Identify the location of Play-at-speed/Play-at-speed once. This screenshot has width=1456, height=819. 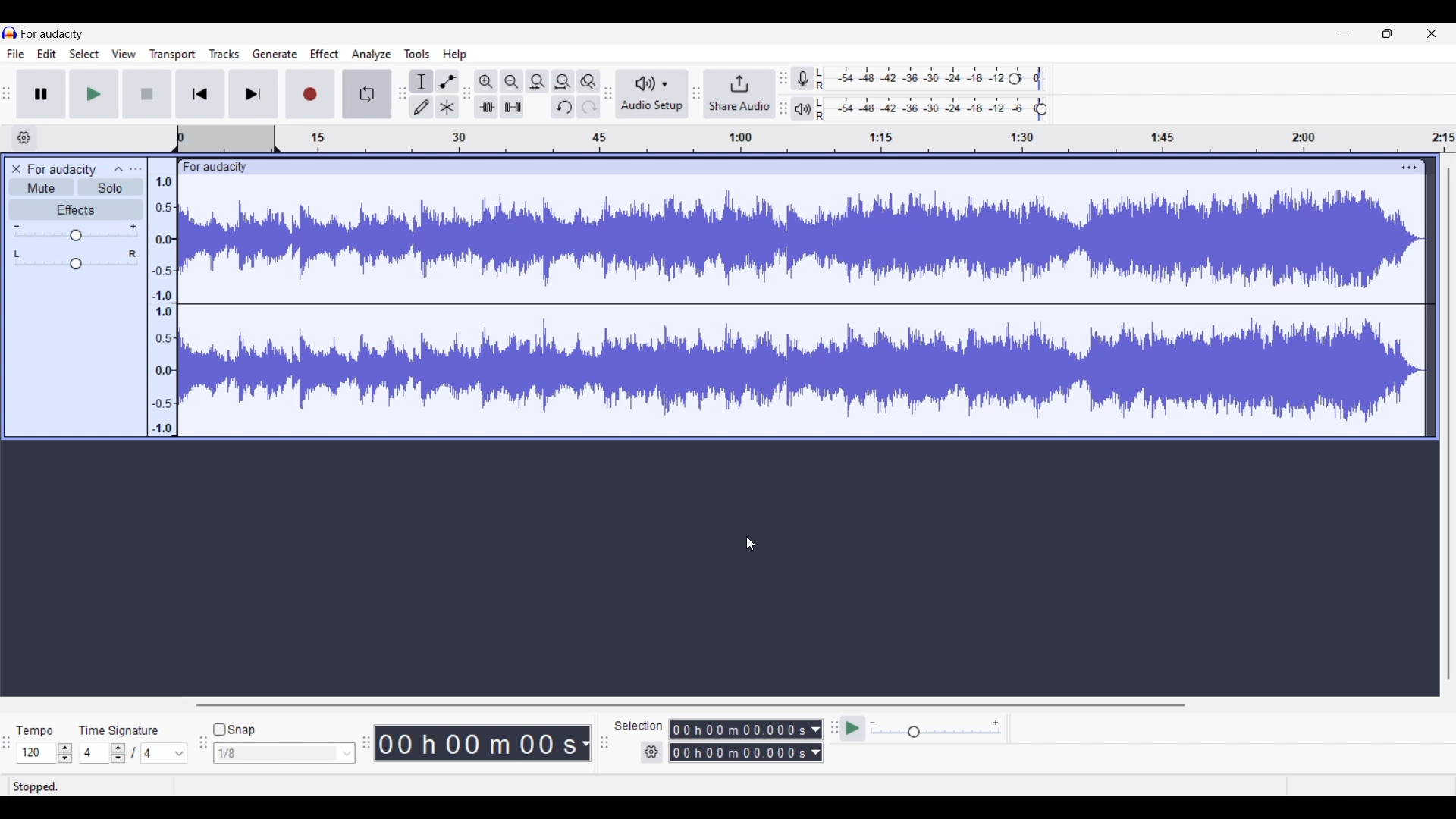
(854, 729).